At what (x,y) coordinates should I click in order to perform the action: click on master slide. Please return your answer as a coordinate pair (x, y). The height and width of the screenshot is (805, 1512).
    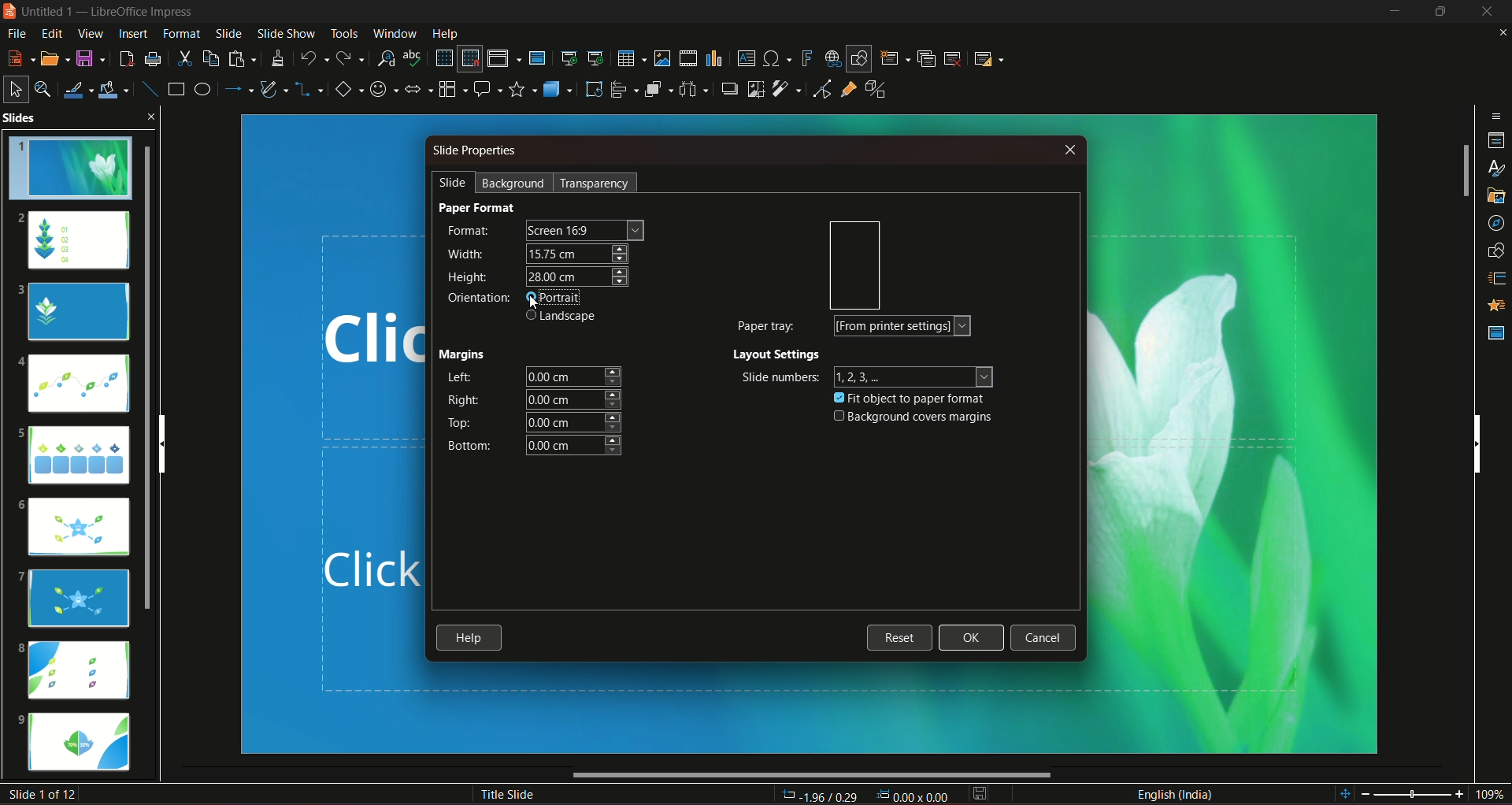
    Looking at the image, I should click on (539, 57).